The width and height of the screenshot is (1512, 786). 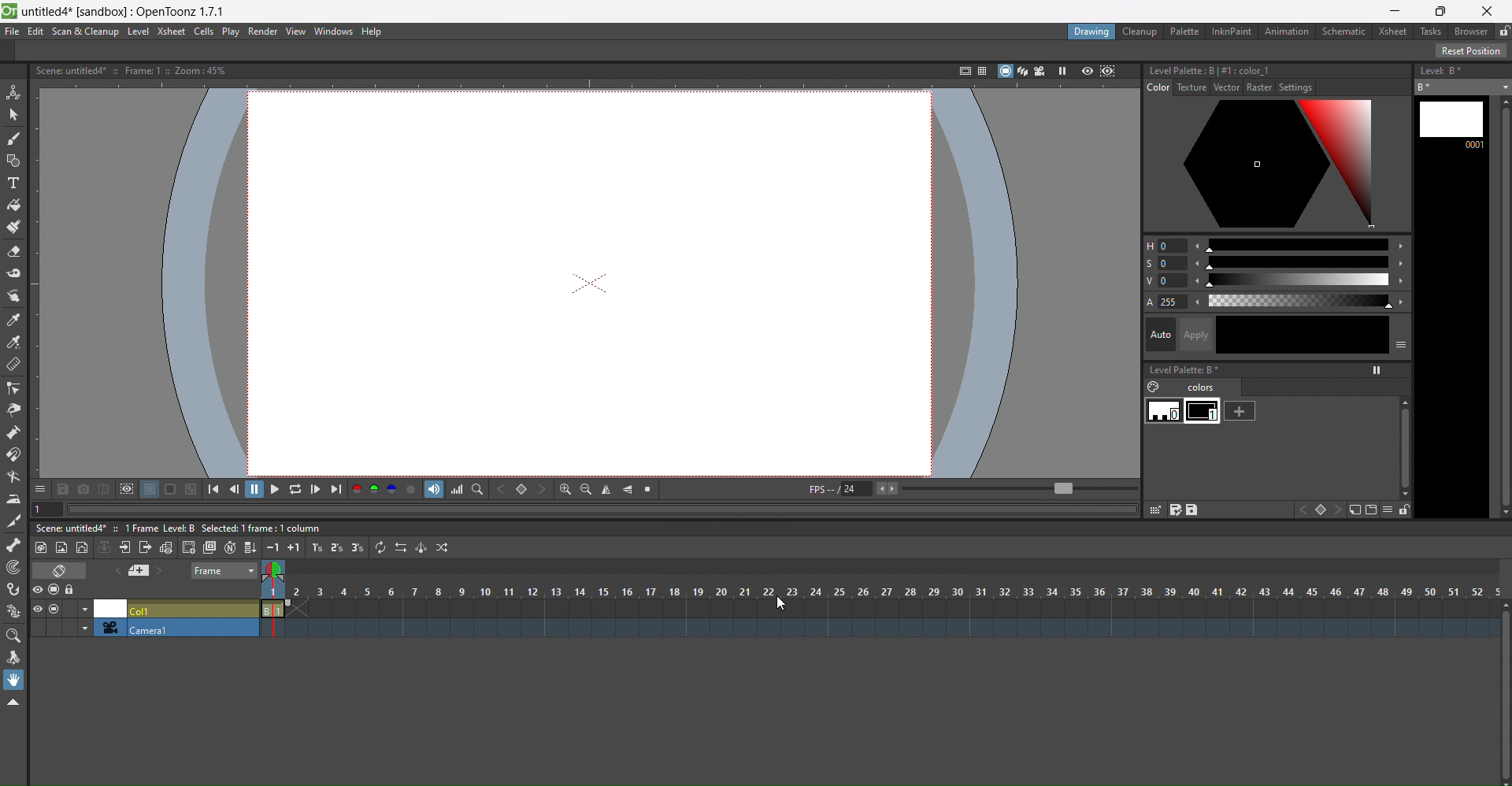 What do you see at coordinates (83, 32) in the screenshot?
I see `scan & cleanup` at bounding box center [83, 32].